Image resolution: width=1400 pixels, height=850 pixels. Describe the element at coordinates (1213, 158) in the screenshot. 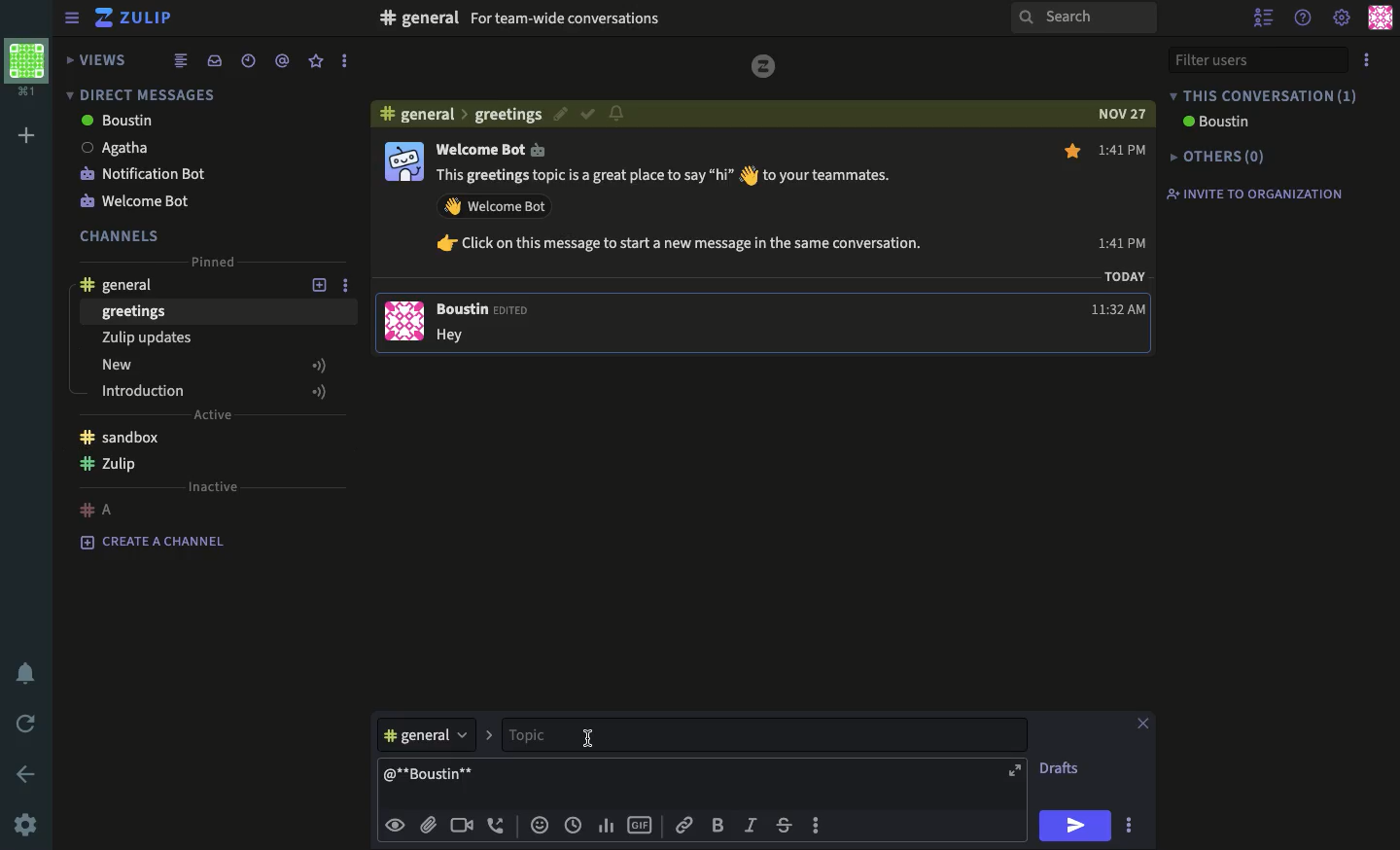

I see `others(0)` at that location.